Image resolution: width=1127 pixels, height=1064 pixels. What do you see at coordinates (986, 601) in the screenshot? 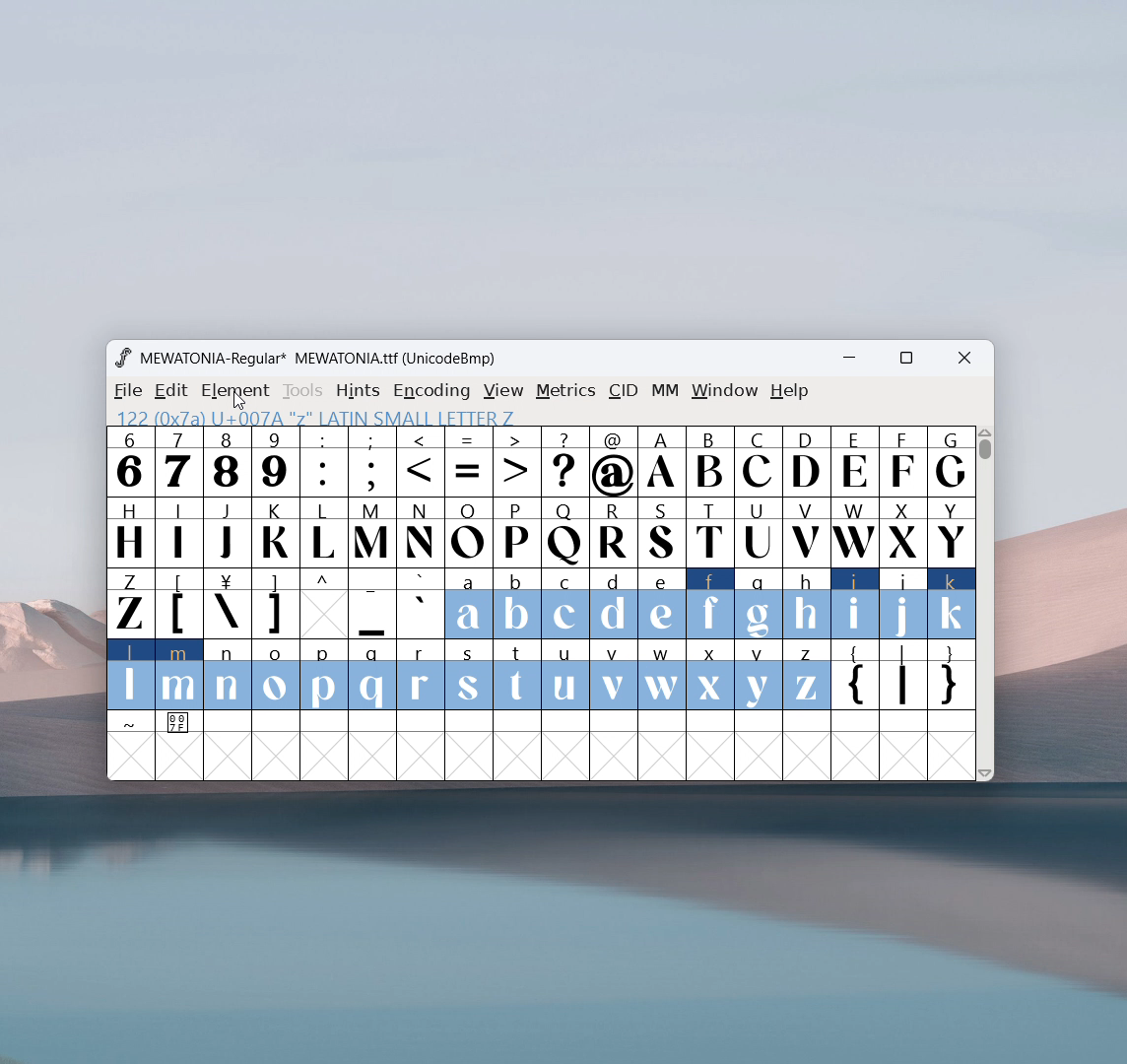
I see `Vertical` at bounding box center [986, 601].